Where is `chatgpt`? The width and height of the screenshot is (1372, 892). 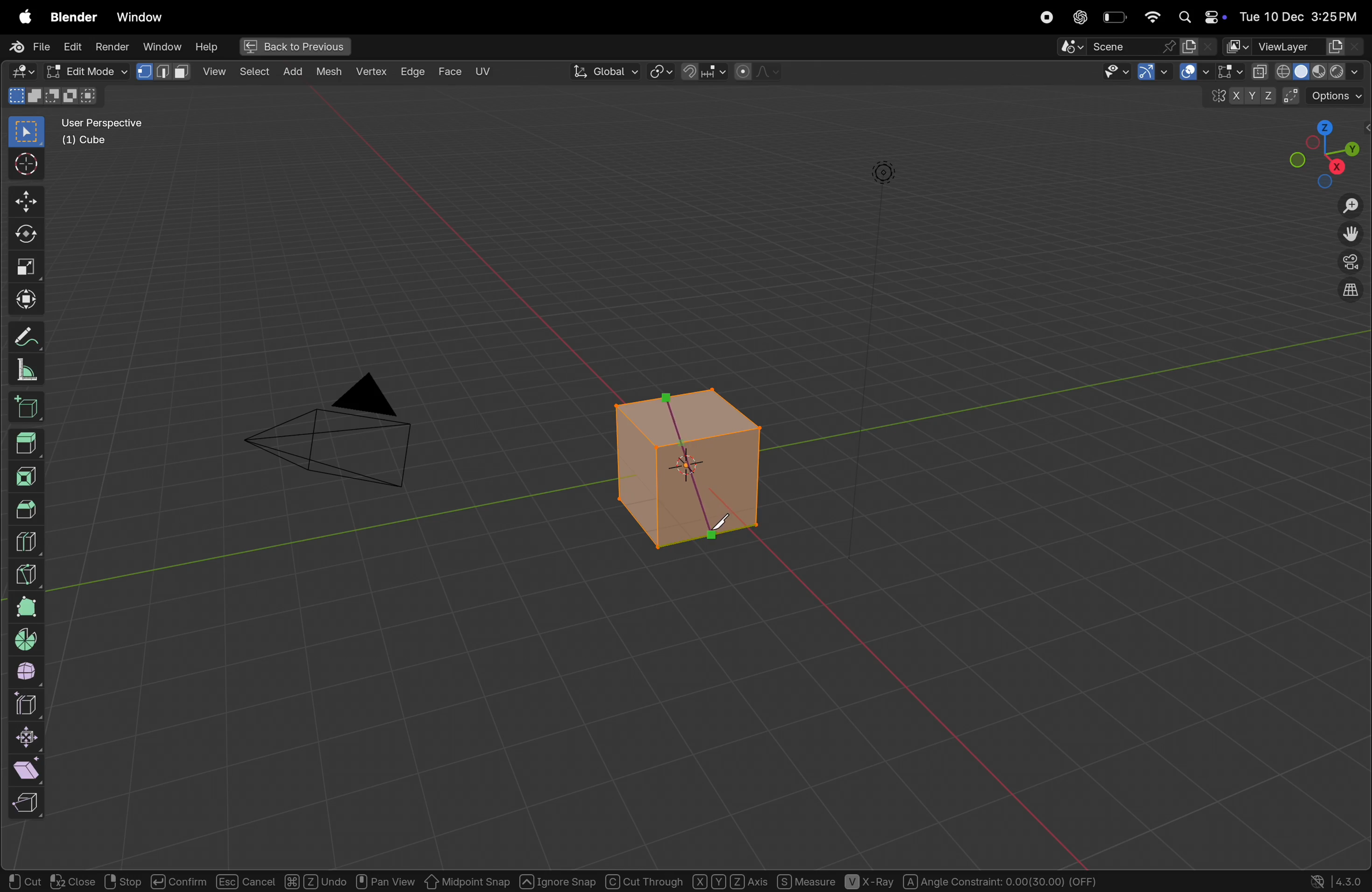
chatgpt is located at coordinates (1080, 17).